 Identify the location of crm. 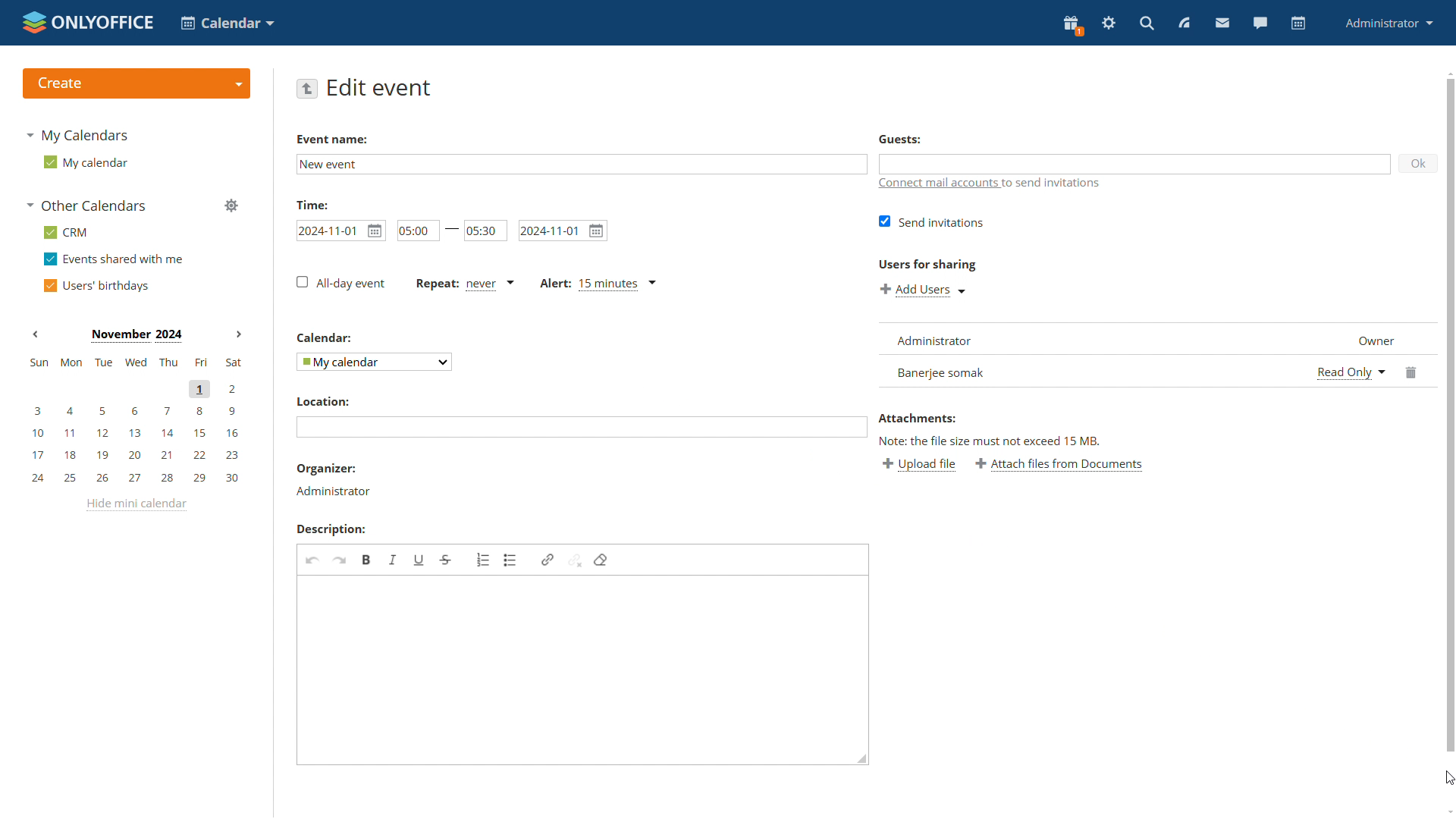
(70, 234).